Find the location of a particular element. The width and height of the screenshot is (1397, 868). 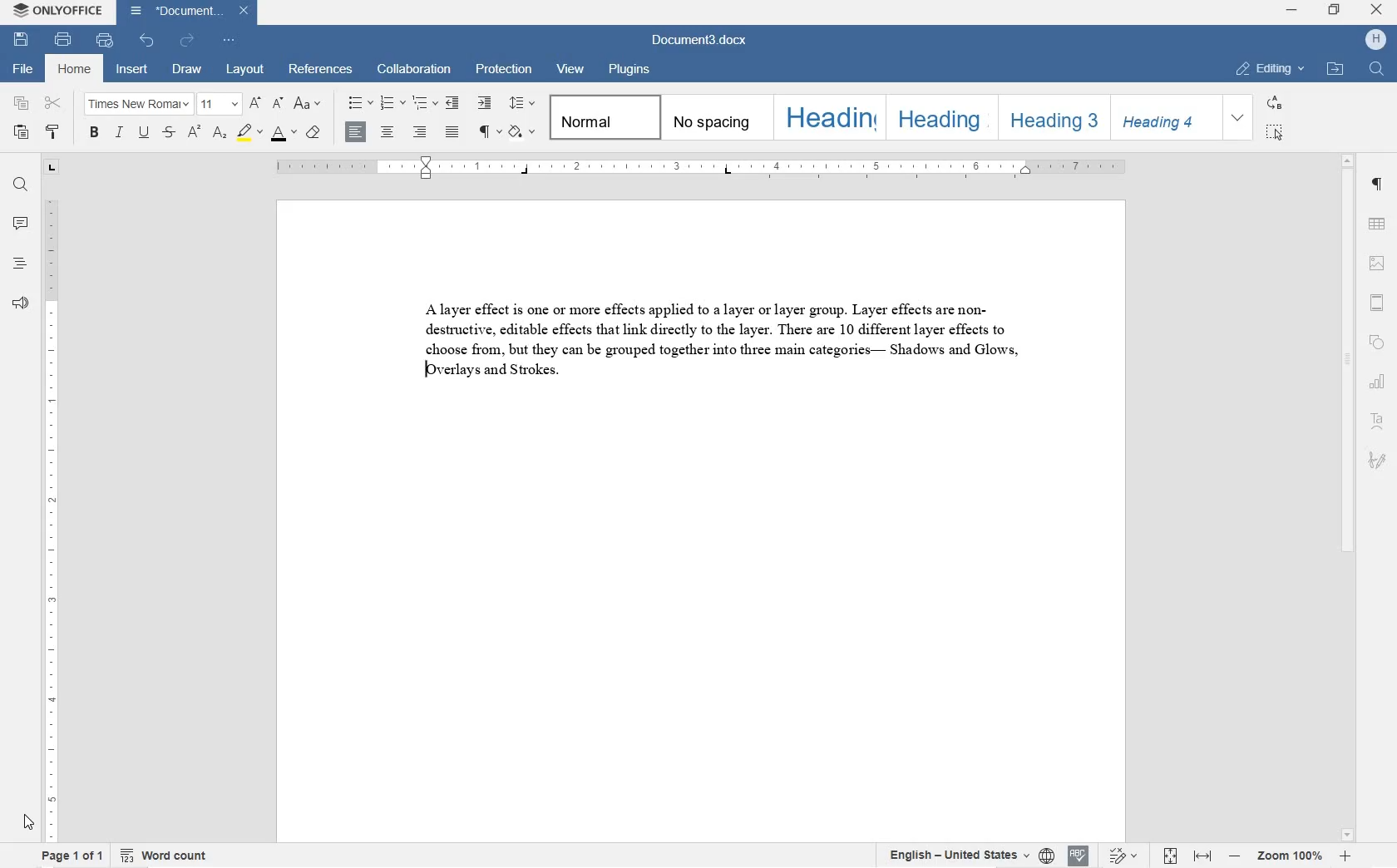

protection is located at coordinates (504, 68).